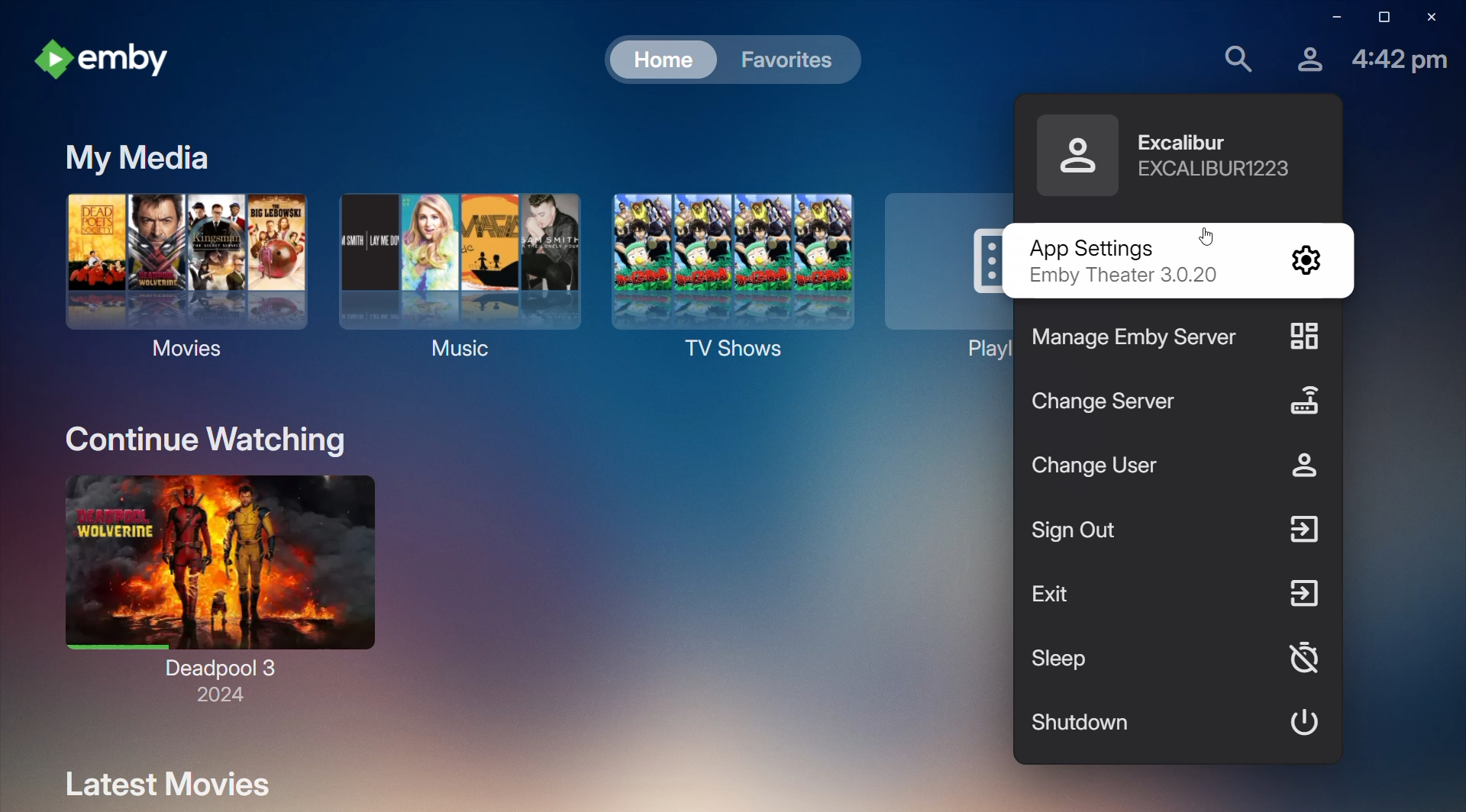 This screenshot has height=812, width=1466. What do you see at coordinates (176, 275) in the screenshot?
I see `Movies` at bounding box center [176, 275].